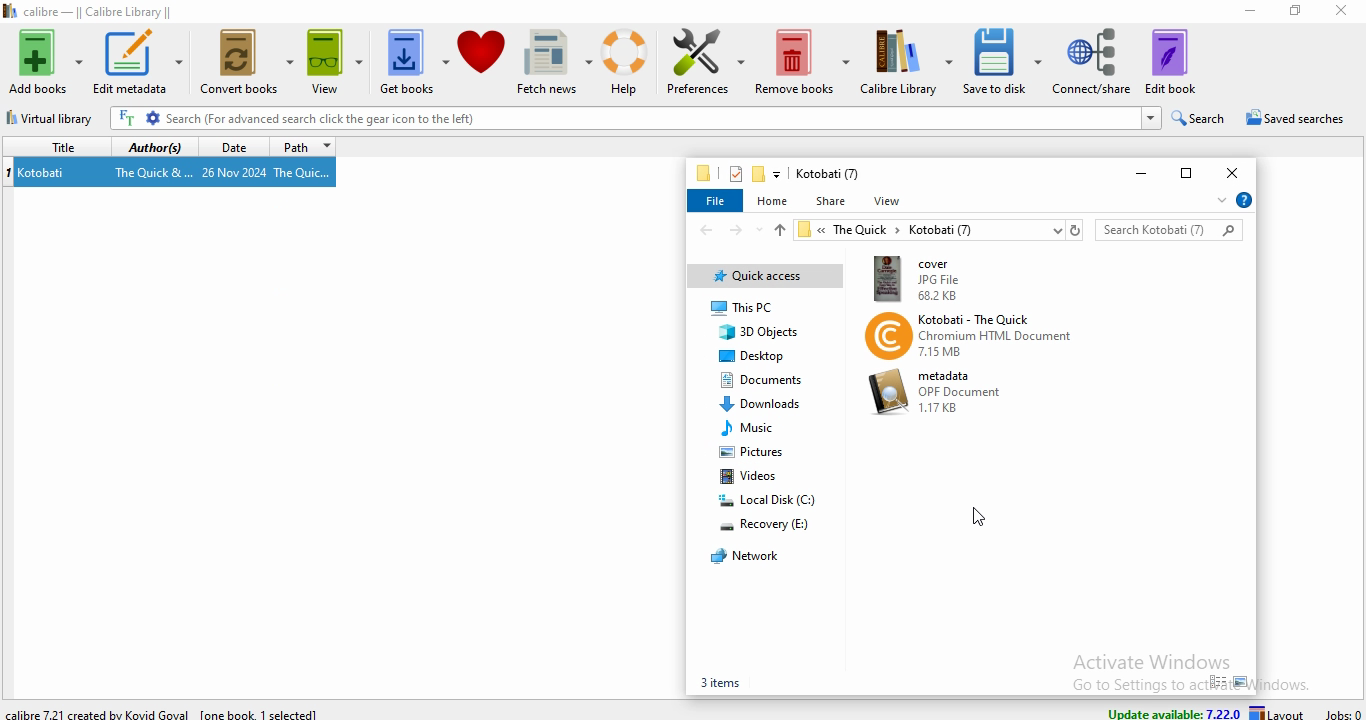 This screenshot has width=1366, height=720. What do you see at coordinates (752, 356) in the screenshot?
I see `deskstop` at bounding box center [752, 356].